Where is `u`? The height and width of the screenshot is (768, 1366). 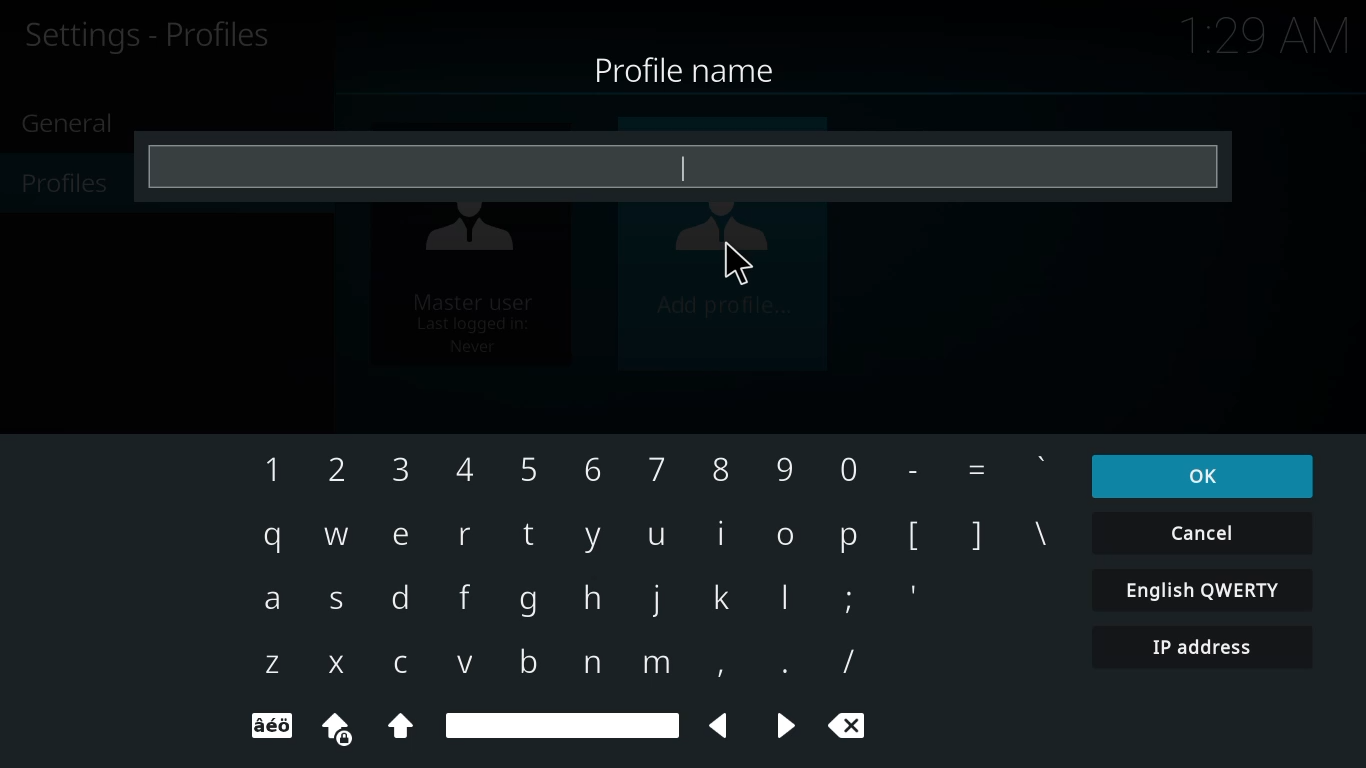
u is located at coordinates (656, 540).